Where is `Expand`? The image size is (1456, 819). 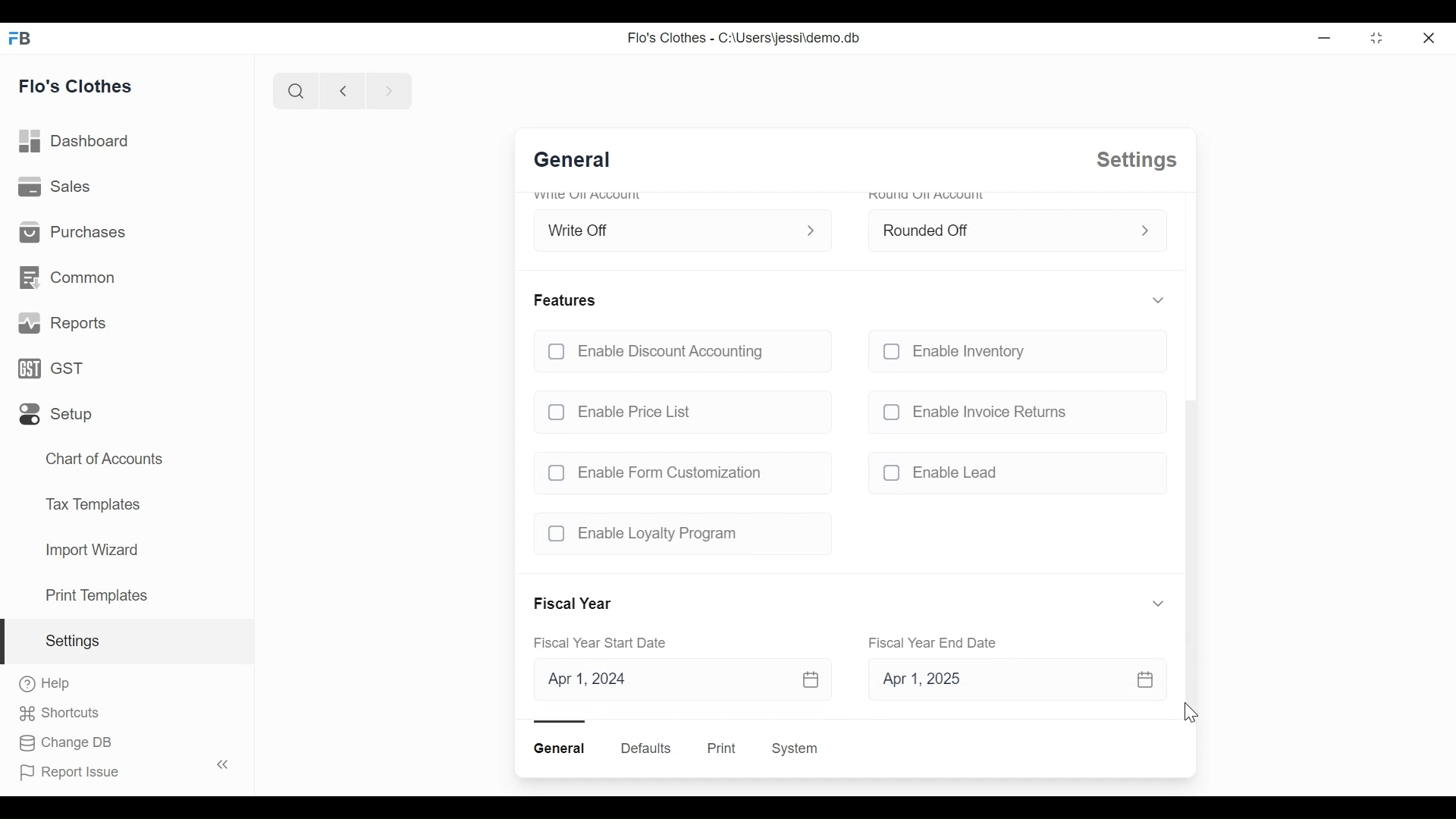 Expand is located at coordinates (1156, 300).